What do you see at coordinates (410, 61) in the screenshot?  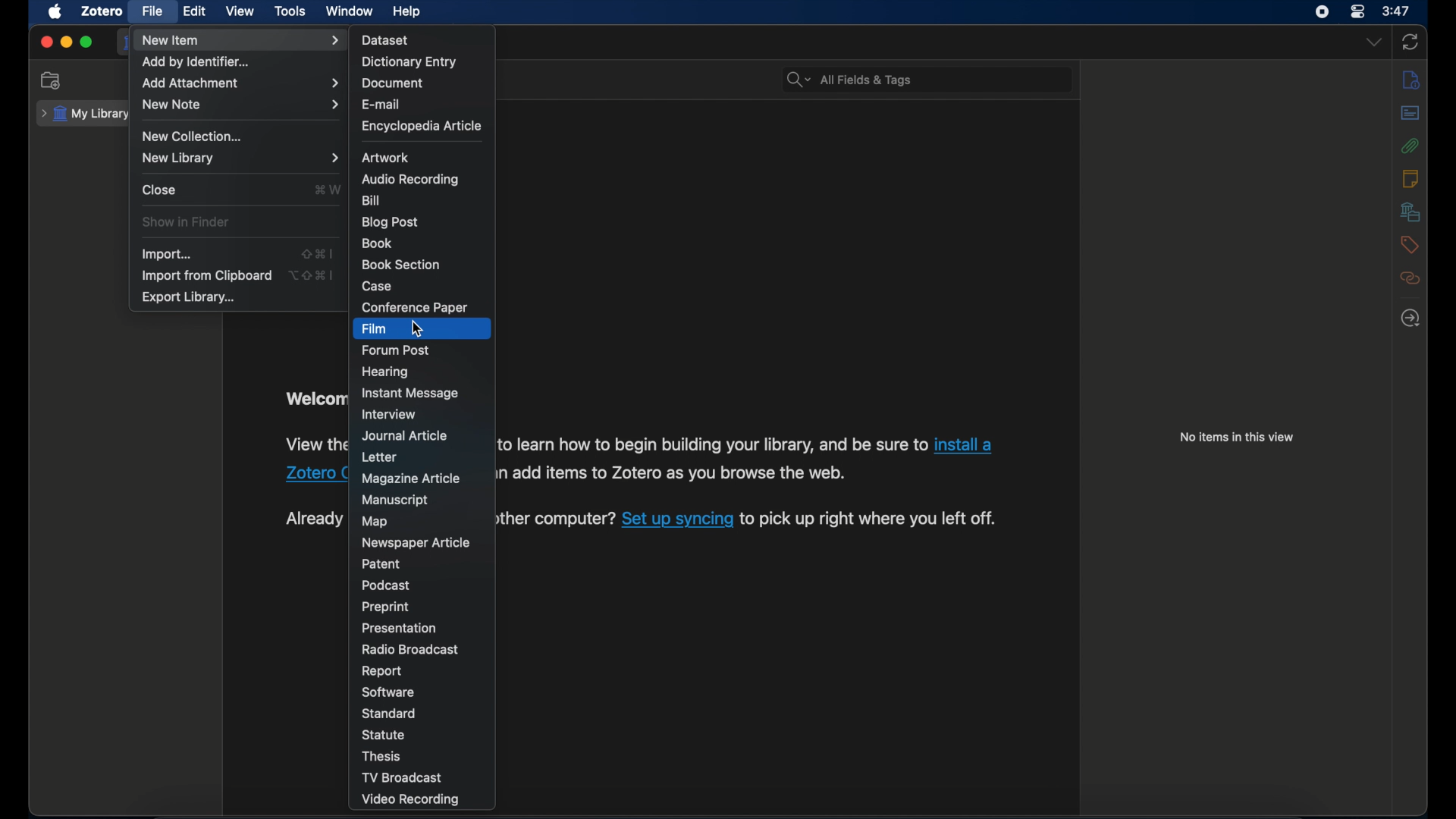 I see `dictionary item` at bounding box center [410, 61].